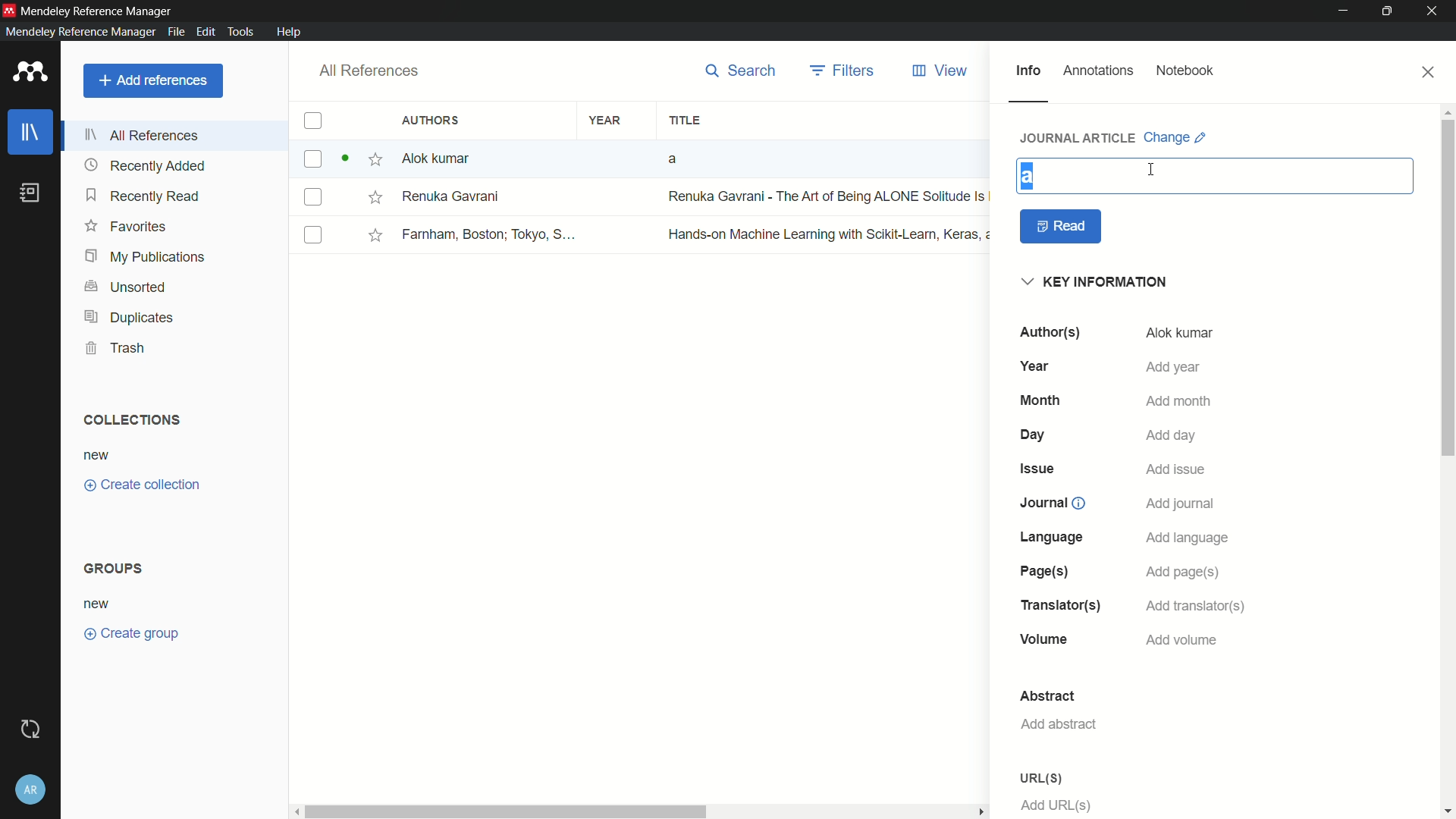  Describe the element at coordinates (98, 11) in the screenshot. I see `app name` at that location.